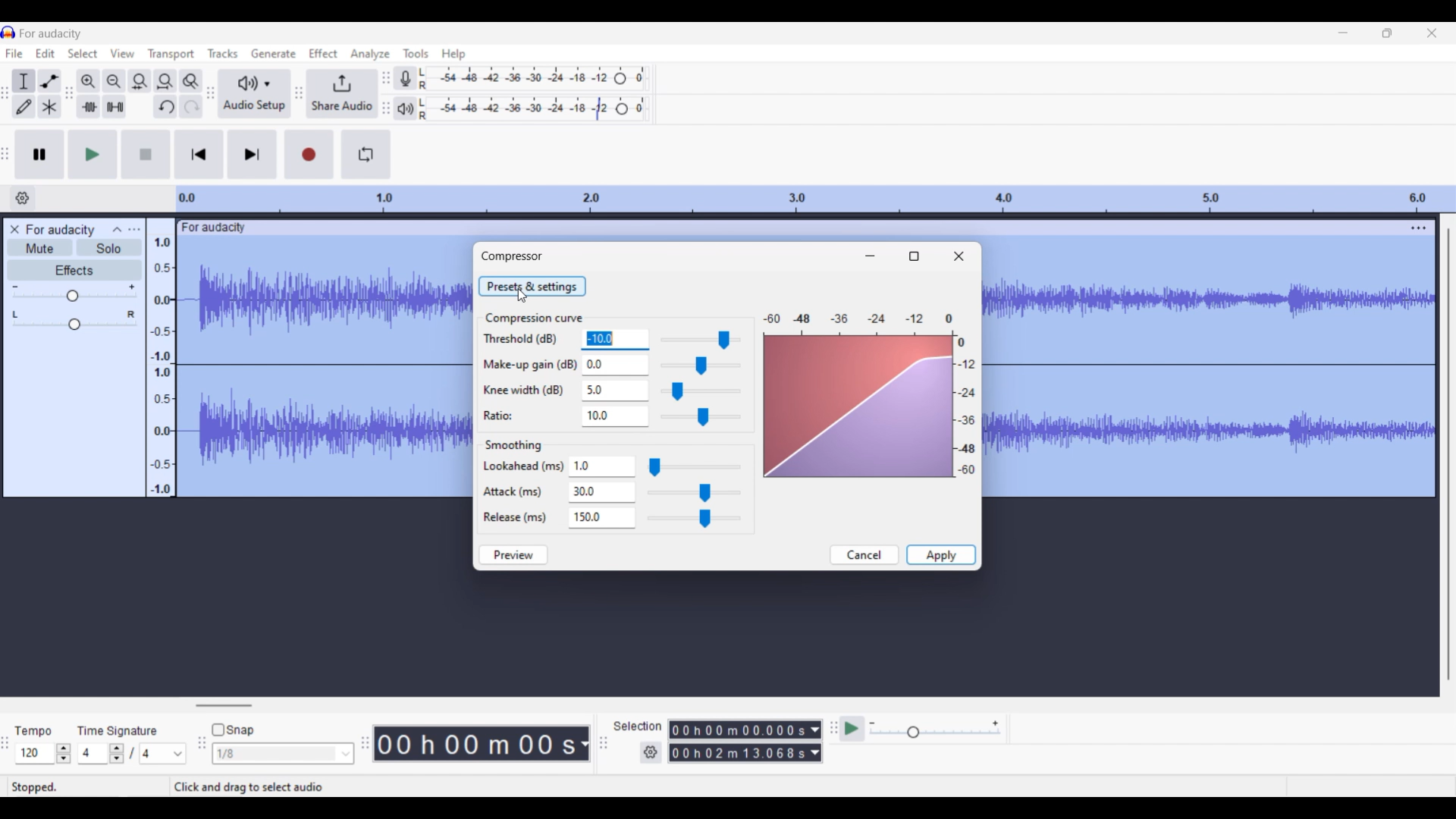 This screenshot has height=819, width=1456. What do you see at coordinates (187, 787) in the screenshot?
I see `Stopped. Click and drag to select audio` at bounding box center [187, 787].